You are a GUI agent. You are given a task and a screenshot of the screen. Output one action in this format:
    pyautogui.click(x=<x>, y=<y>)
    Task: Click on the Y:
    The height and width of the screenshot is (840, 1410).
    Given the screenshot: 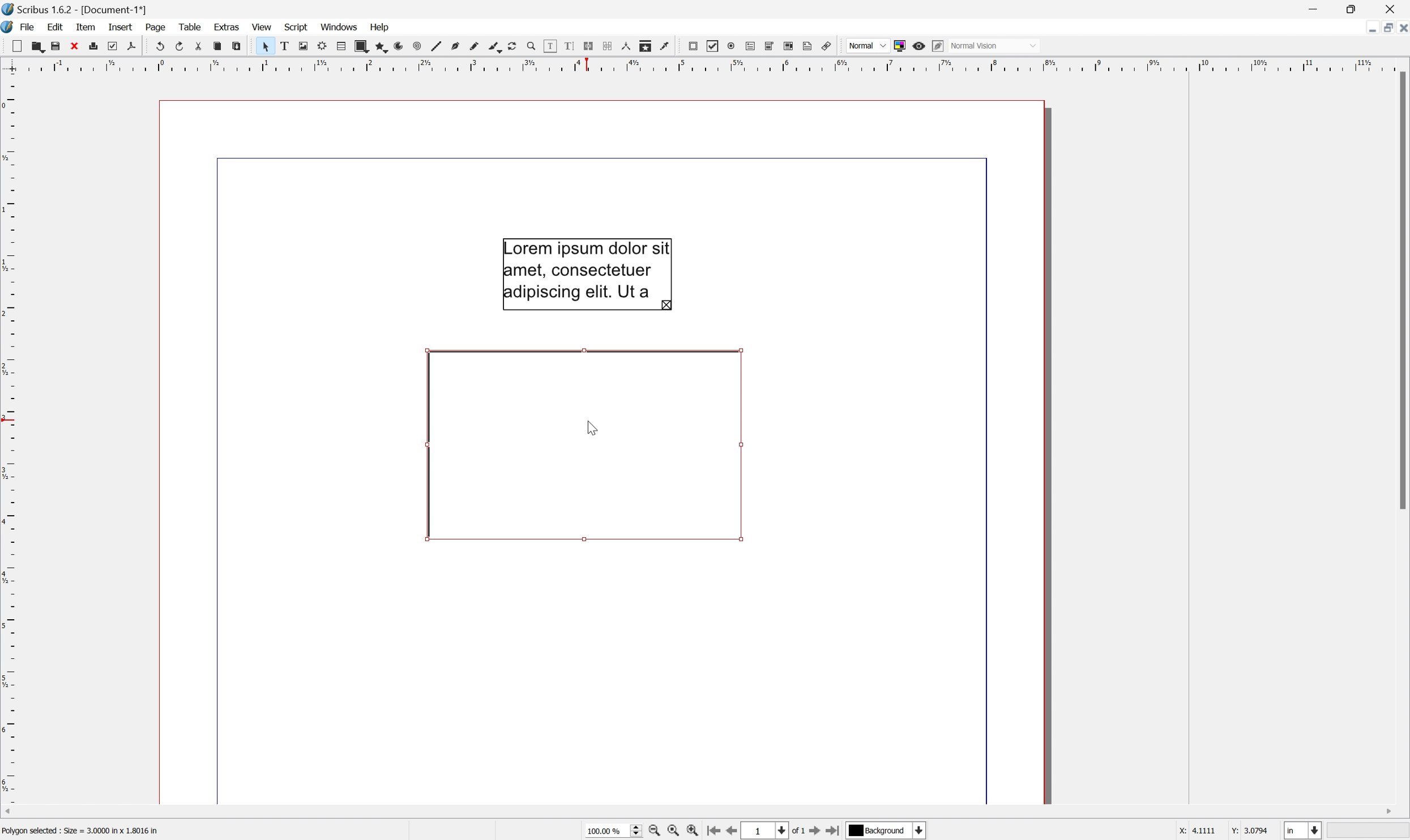 What is the action you would take?
    pyautogui.click(x=1236, y=832)
    